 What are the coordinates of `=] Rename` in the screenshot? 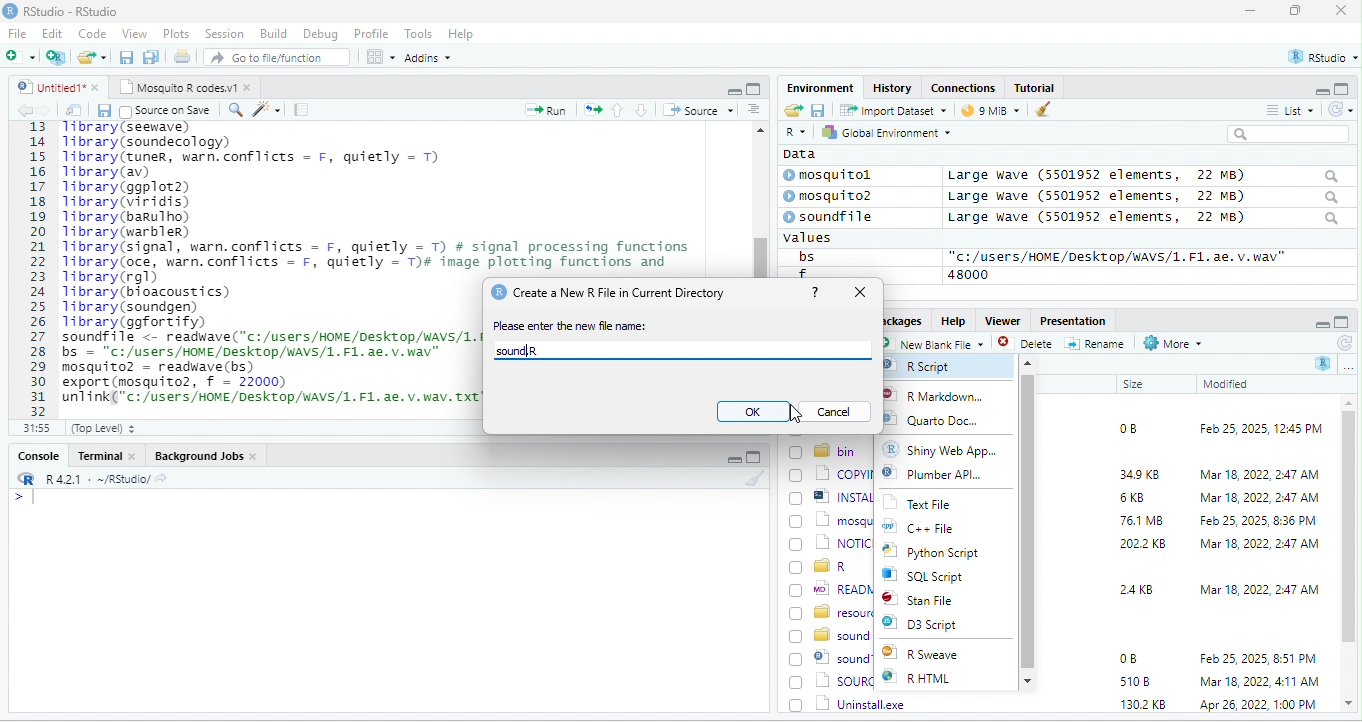 It's located at (1096, 343).